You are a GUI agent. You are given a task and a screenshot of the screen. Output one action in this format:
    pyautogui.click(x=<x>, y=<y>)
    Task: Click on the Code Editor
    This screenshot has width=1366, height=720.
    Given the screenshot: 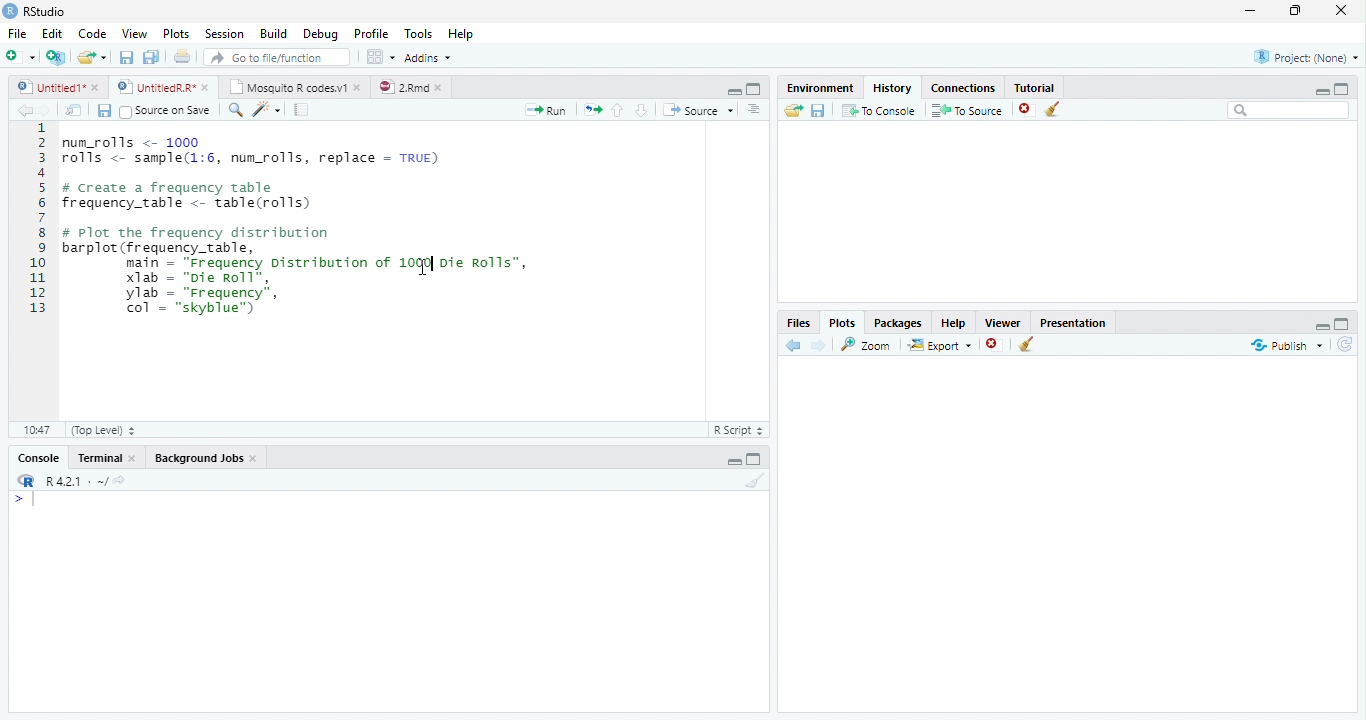 What is the action you would take?
    pyautogui.click(x=359, y=271)
    